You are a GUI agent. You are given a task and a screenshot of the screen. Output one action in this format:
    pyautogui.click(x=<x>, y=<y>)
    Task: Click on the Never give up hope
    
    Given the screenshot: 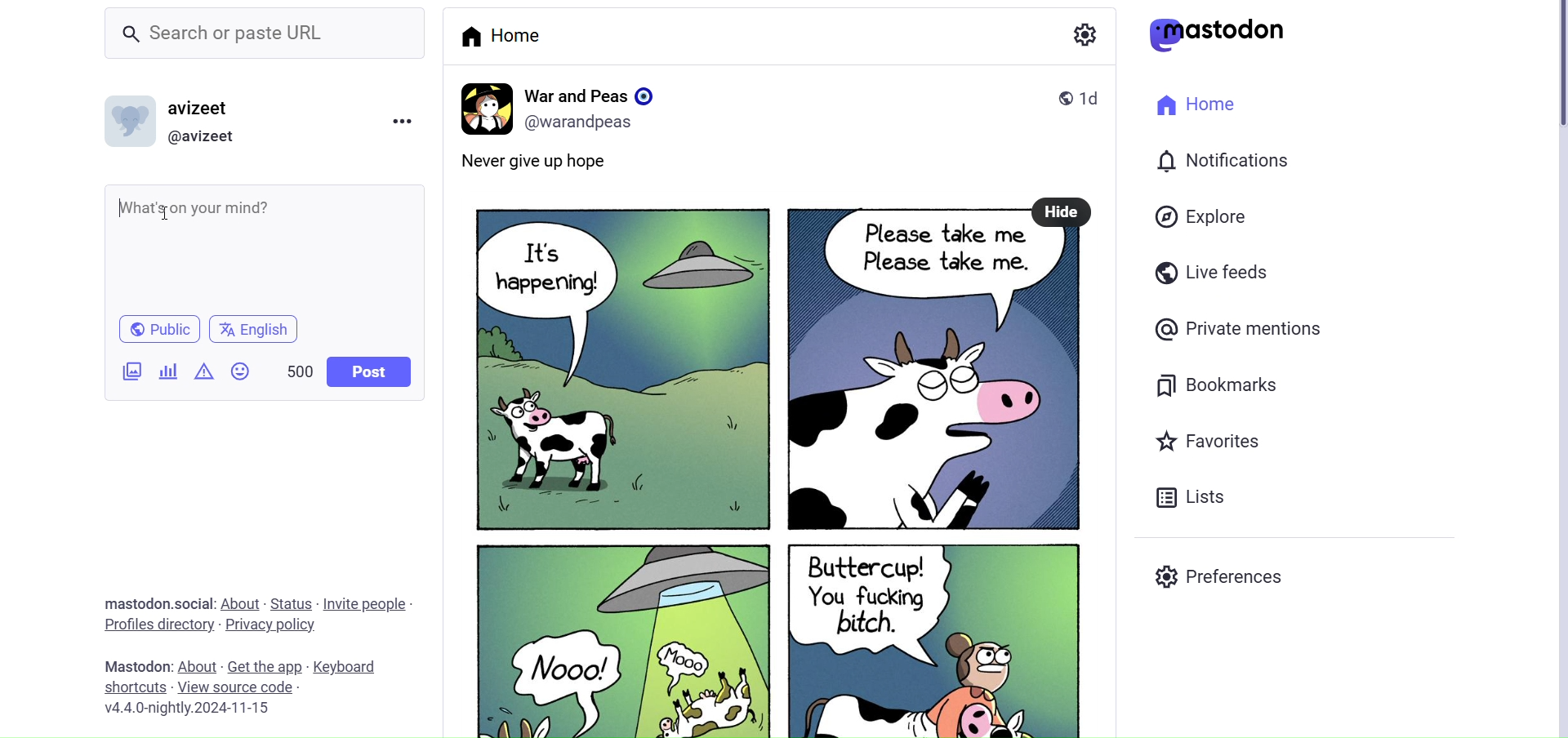 What is the action you would take?
    pyautogui.click(x=558, y=164)
    